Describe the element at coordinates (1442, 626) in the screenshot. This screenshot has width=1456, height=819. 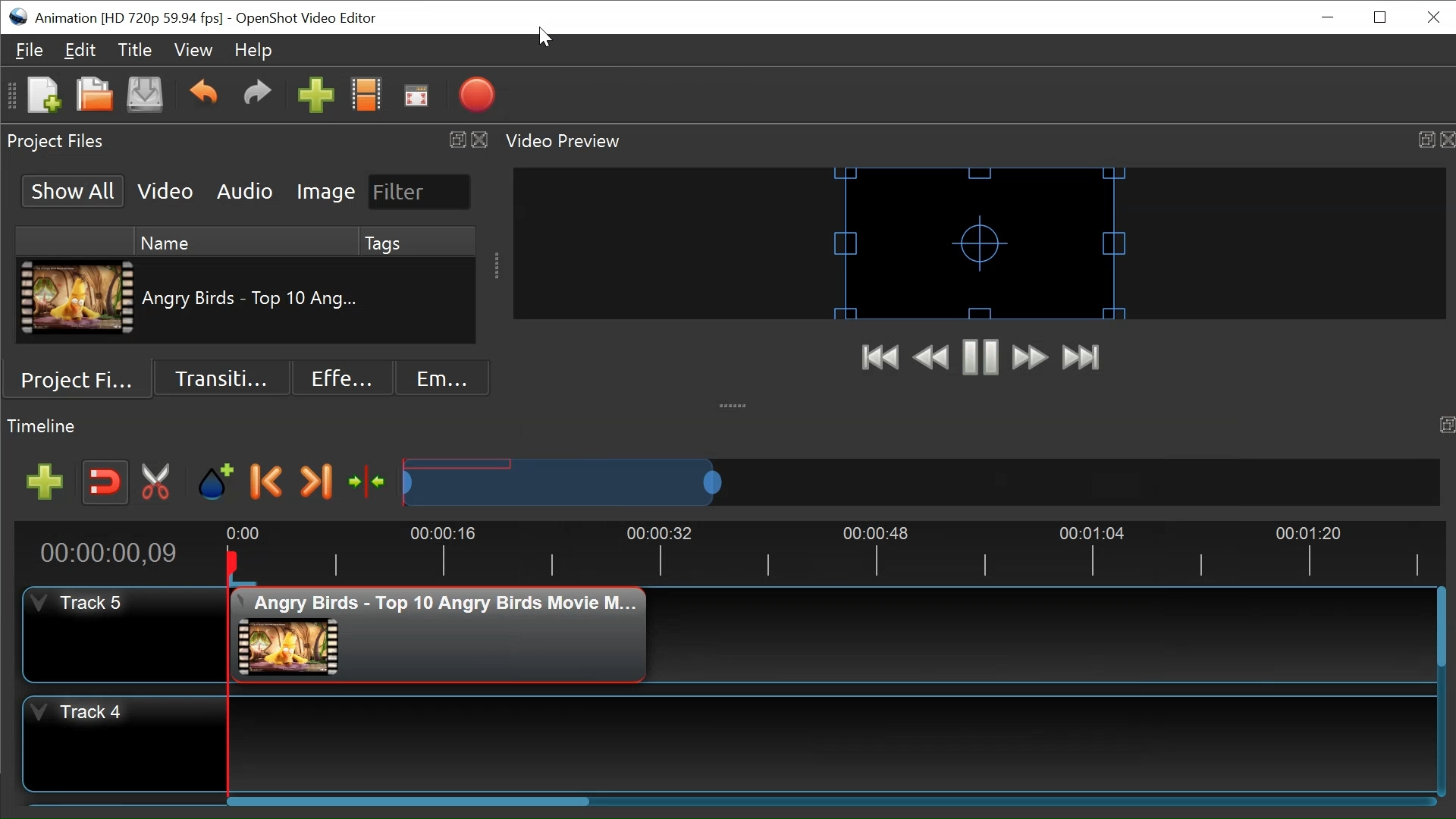
I see `Horizontal Scroll bar` at that location.